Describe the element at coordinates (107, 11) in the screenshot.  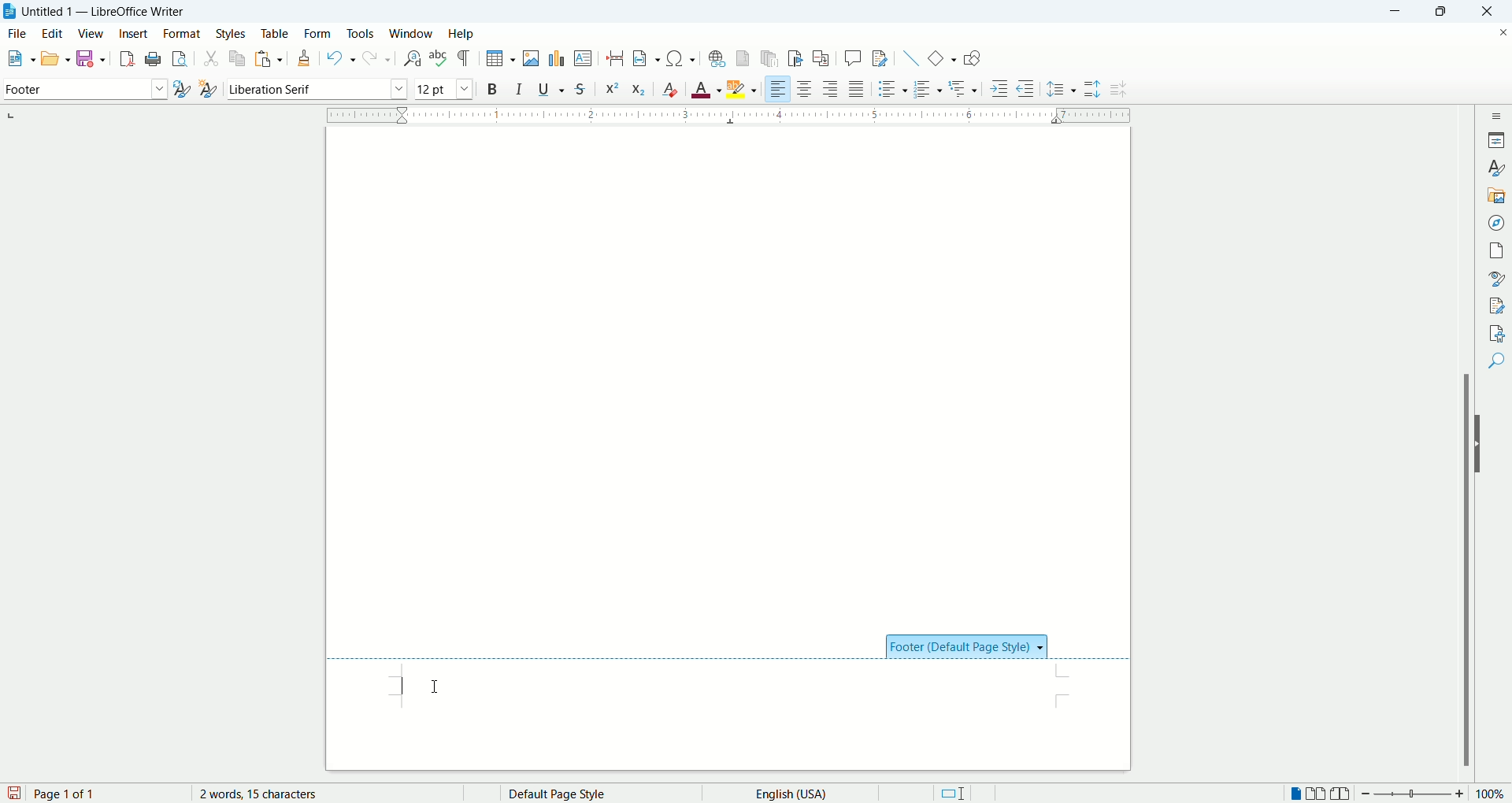
I see `Untitled 1 - LibreOffice Writer` at that location.